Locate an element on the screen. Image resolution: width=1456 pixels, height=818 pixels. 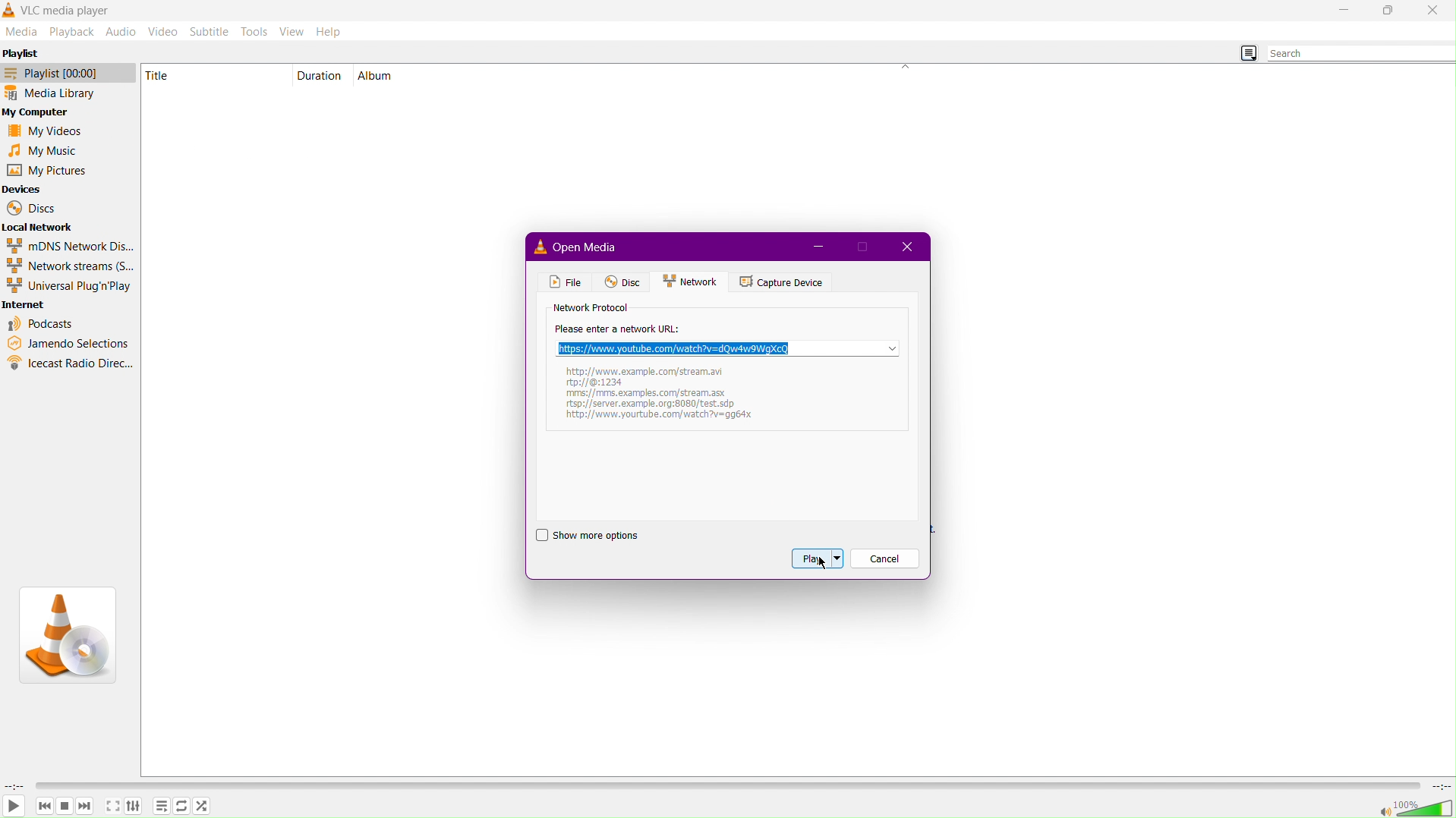
Duration is located at coordinates (322, 74).